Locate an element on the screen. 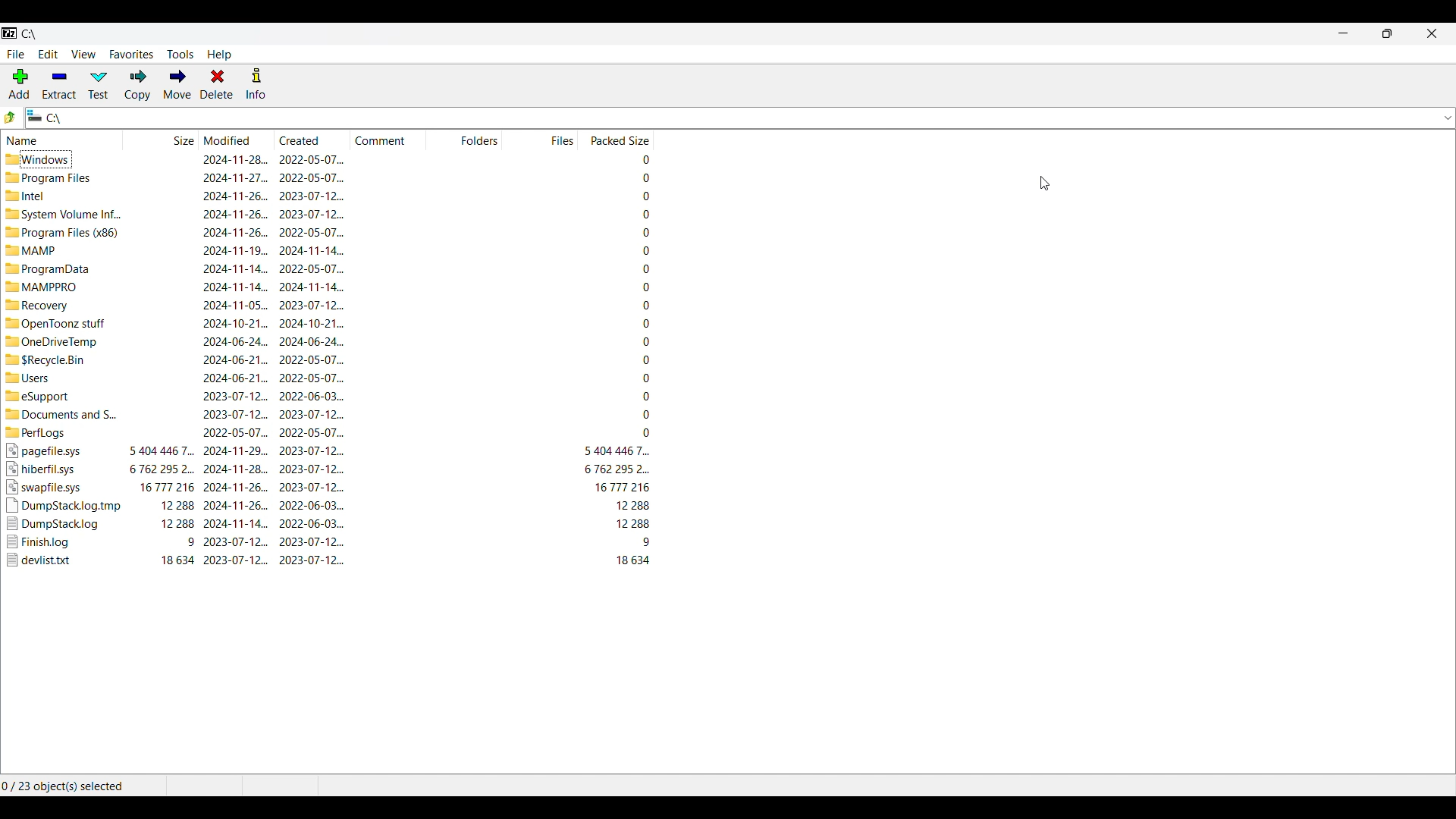  eSupport is located at coordinates (54, 395).